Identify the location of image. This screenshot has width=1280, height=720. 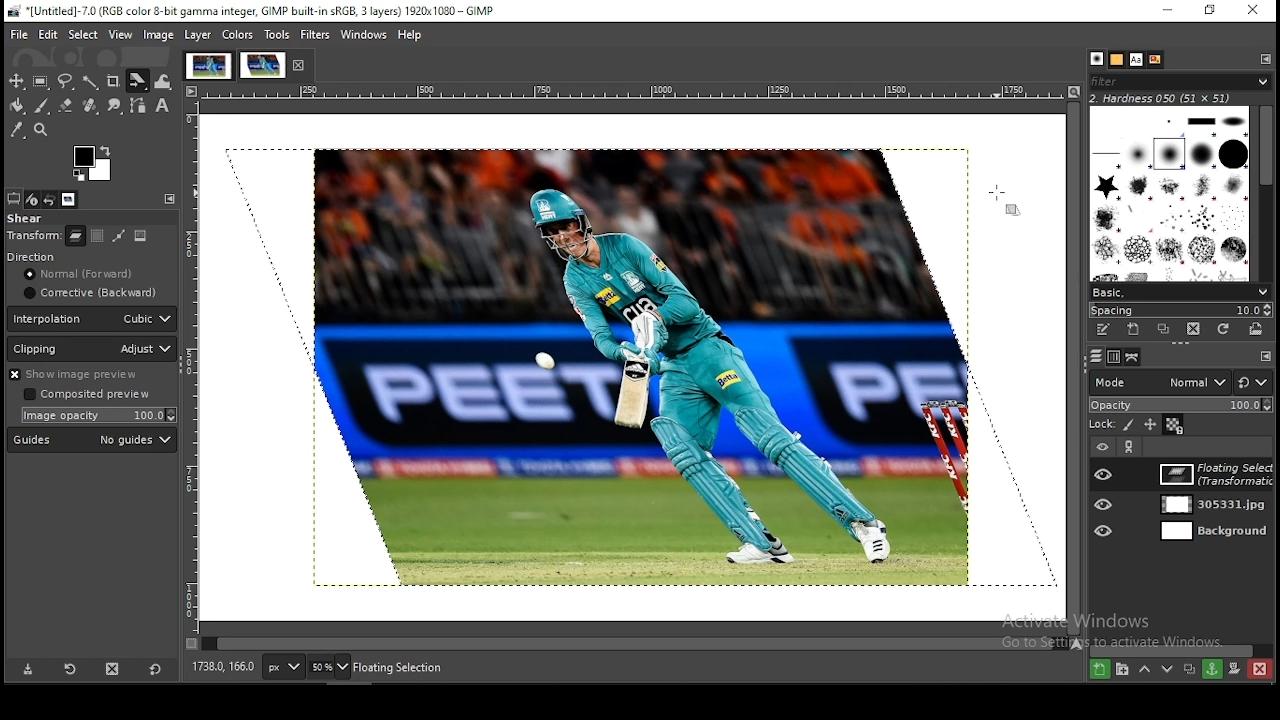
(635, 373).